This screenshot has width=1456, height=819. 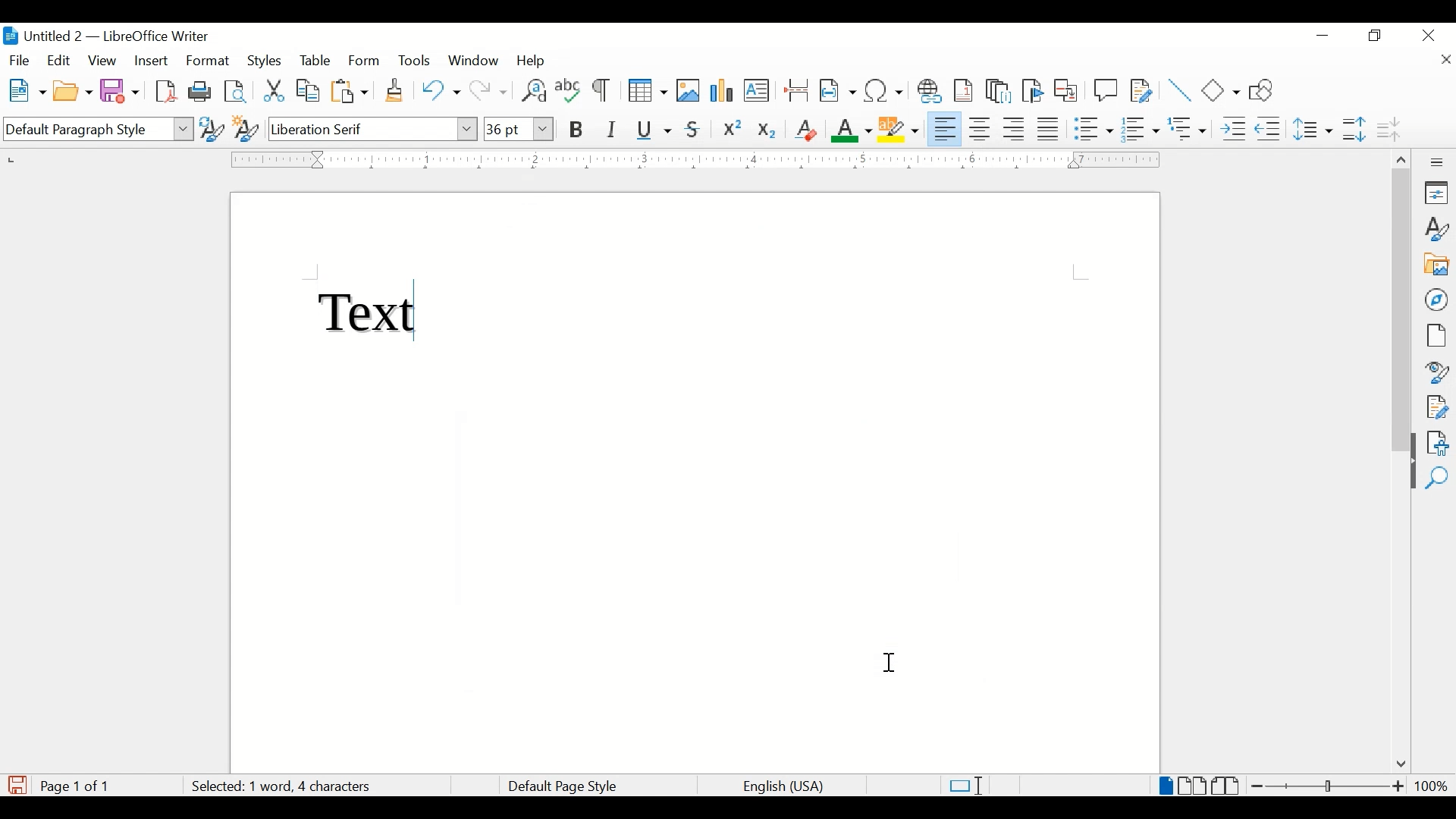 What do you see at coordinates (756, 90) in the screenshot?
I see `insert text box` at bounding box center [756, 90].